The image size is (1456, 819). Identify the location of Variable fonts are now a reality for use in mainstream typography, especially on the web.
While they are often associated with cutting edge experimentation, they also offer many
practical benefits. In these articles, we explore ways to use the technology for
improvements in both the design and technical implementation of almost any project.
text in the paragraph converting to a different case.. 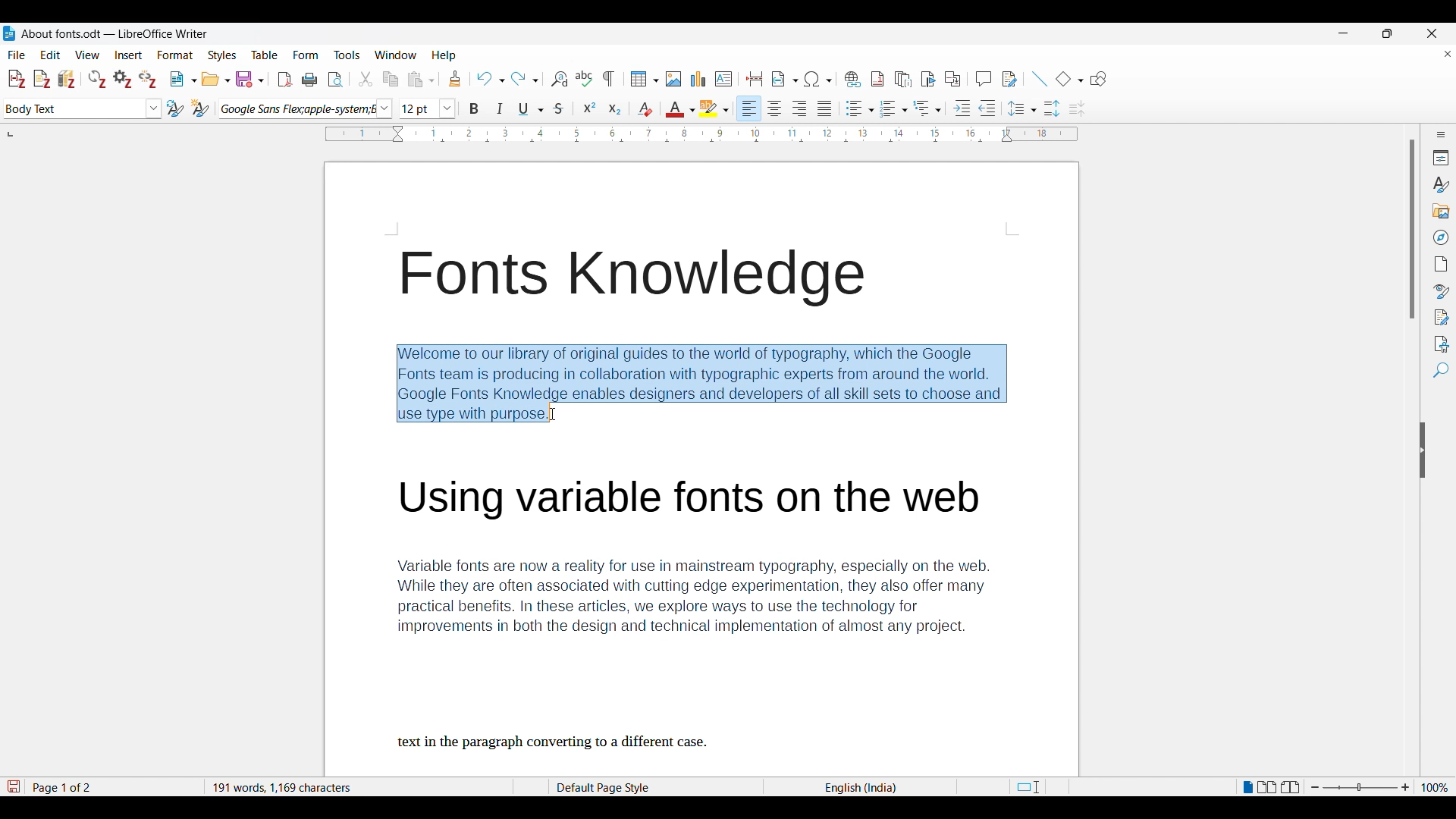
(712, 614).